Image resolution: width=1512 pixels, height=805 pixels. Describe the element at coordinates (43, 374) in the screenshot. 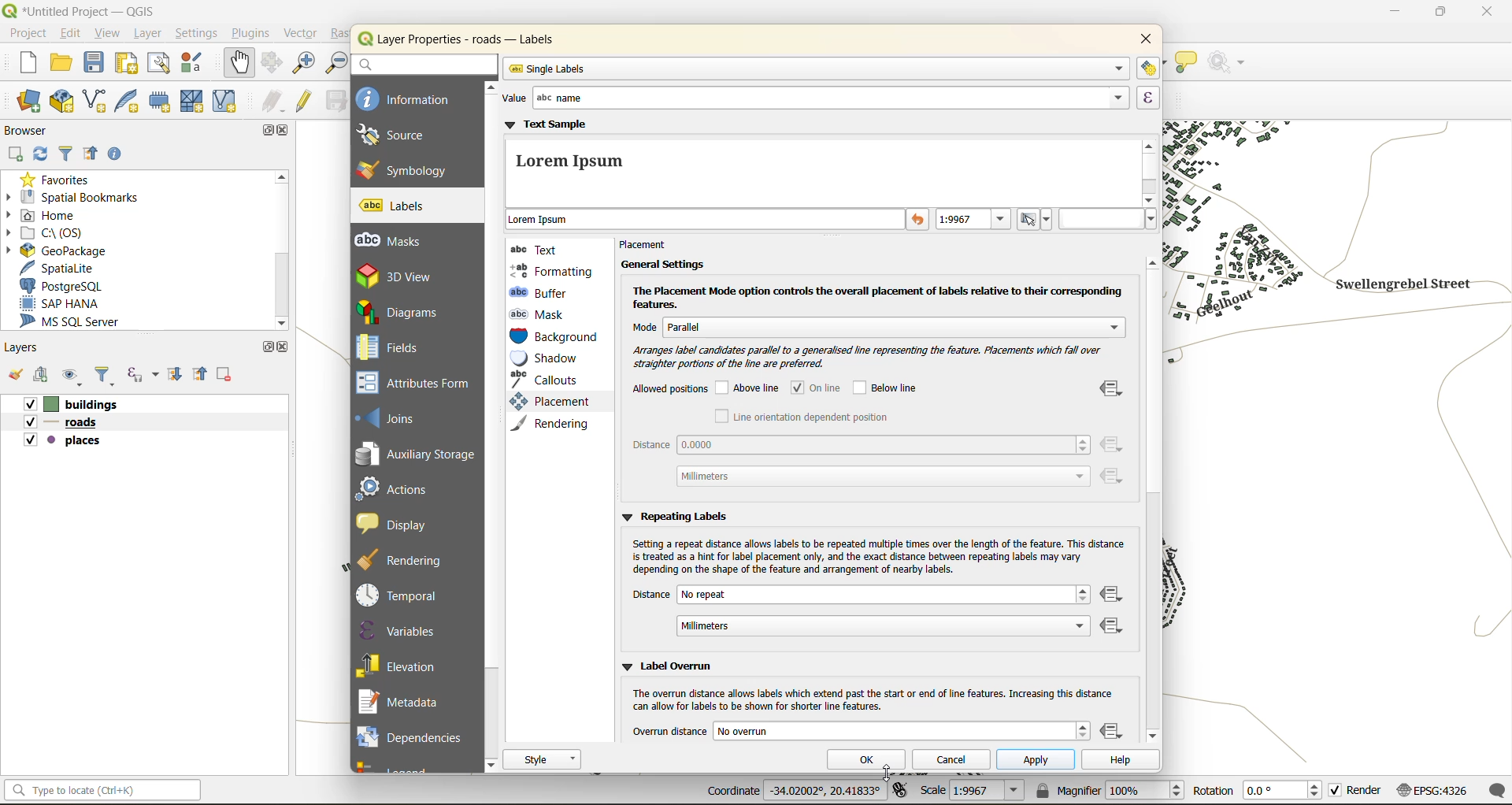

I see `add` at that location.